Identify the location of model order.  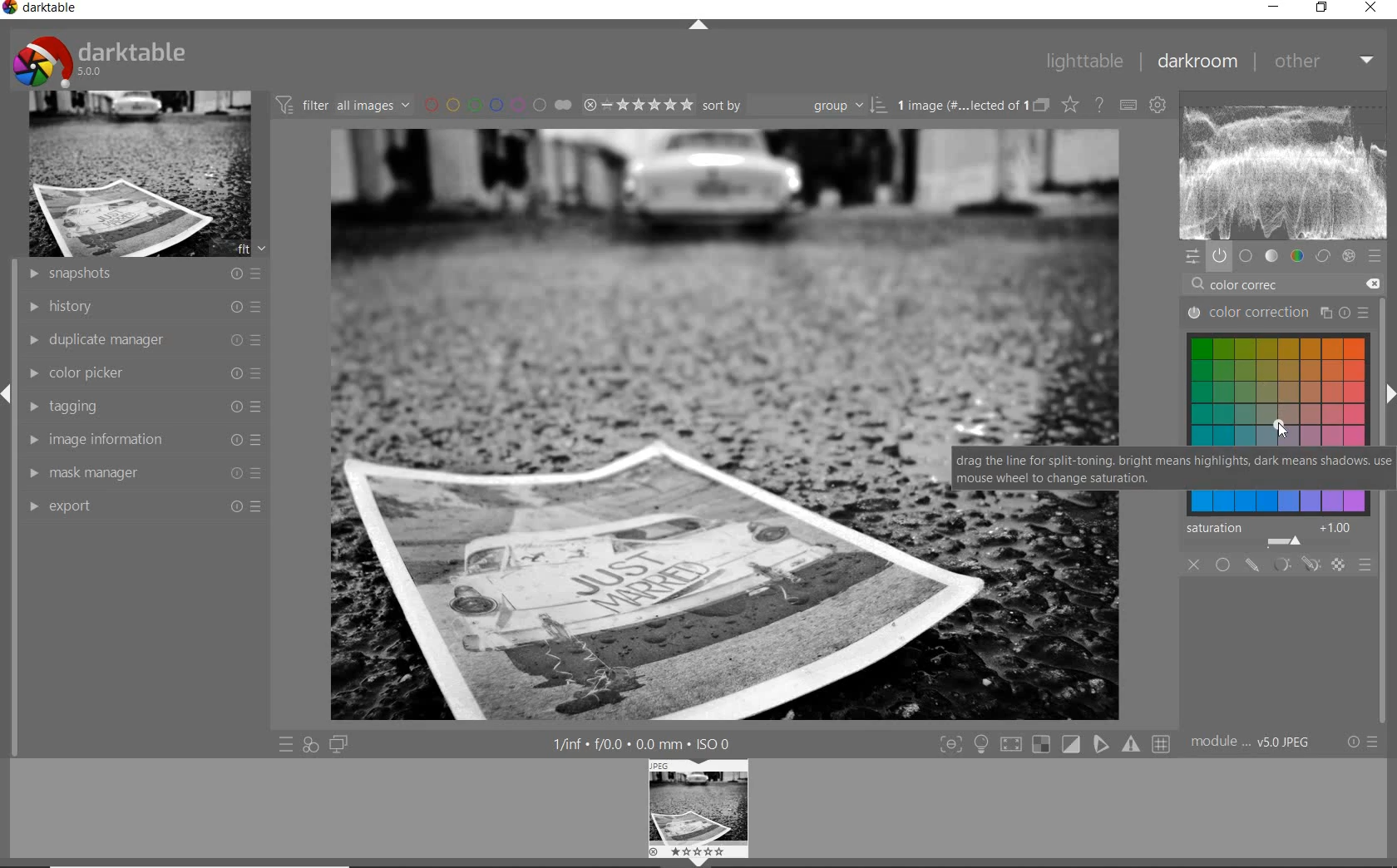
(1251, 743).